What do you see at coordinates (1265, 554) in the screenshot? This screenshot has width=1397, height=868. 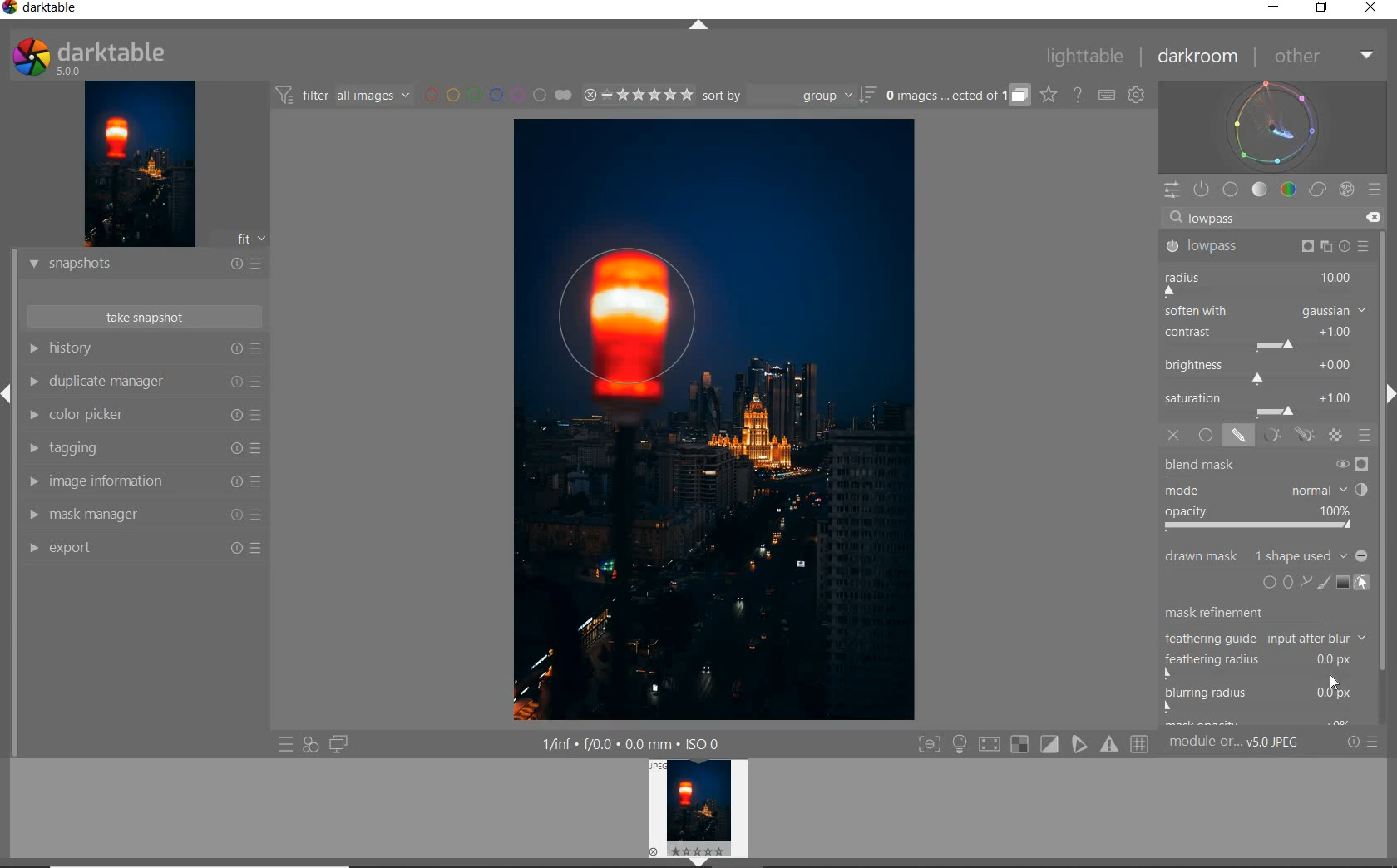 I see `DRAWN AMSK` at bounding box center [1265, 554].